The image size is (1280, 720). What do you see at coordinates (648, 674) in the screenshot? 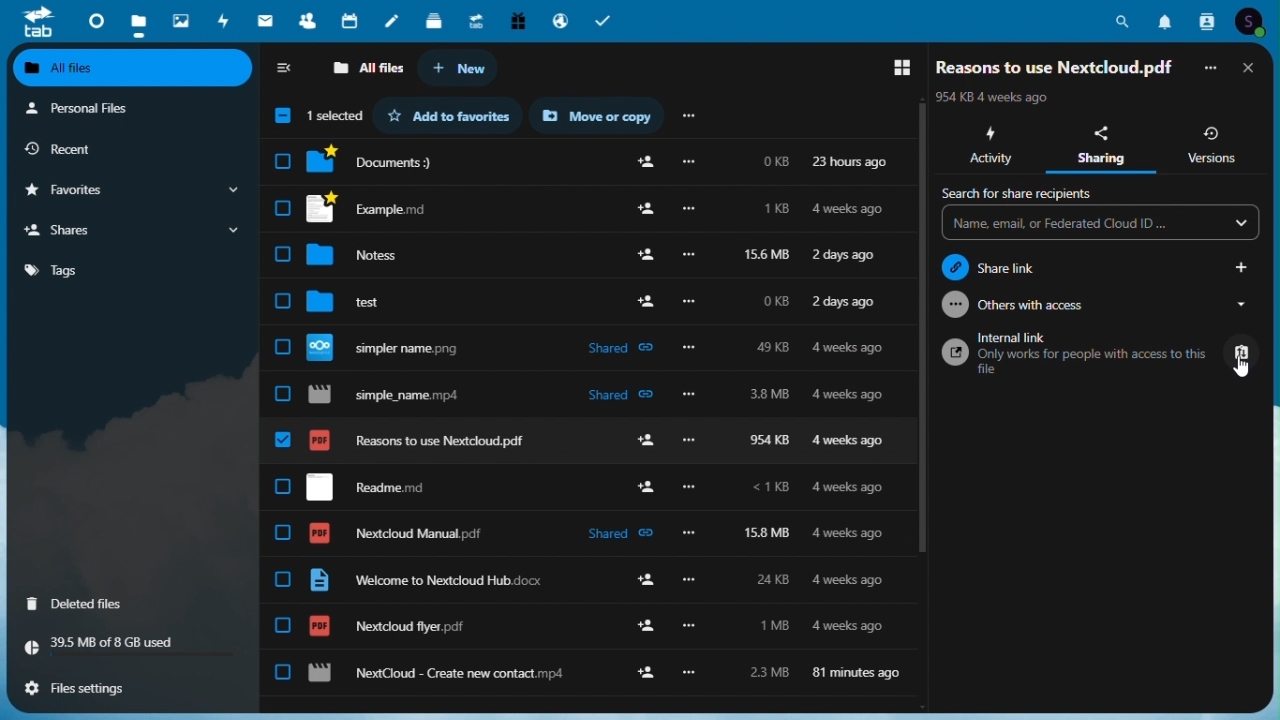
I see ` add user` at bounding box center [648, 674].